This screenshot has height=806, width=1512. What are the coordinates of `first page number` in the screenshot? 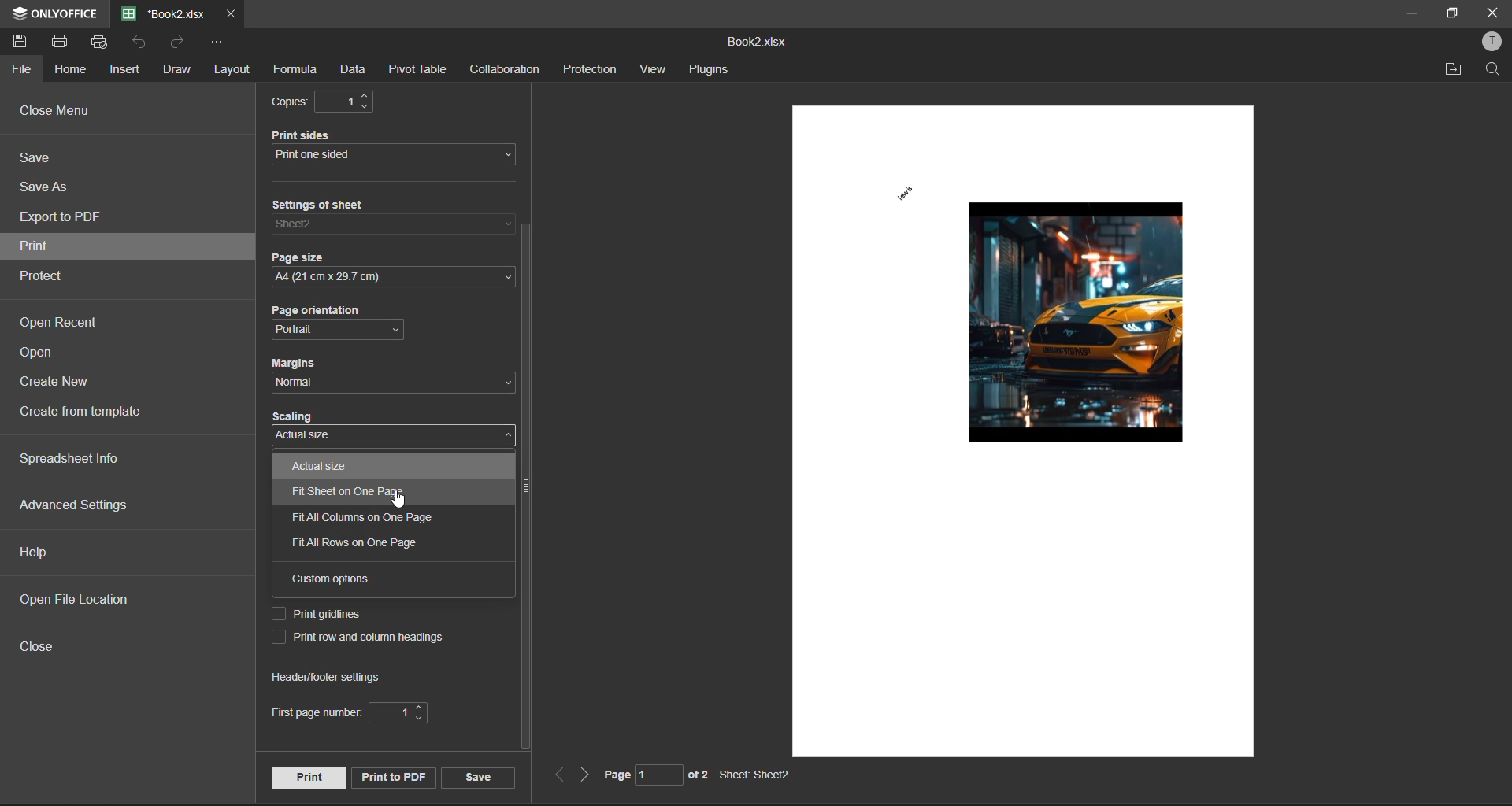 It's located at (345, 712).